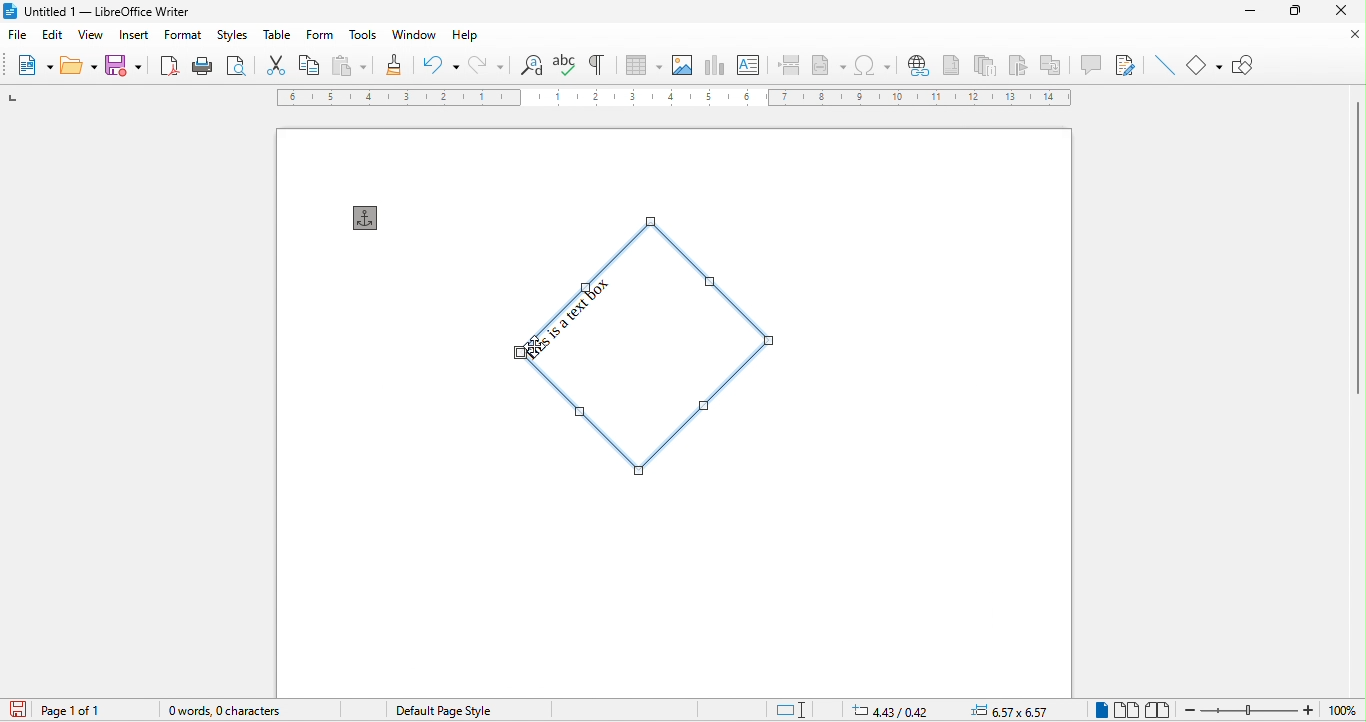 The image size is (1366, 722). I want to click on styles, so click(233, 36).